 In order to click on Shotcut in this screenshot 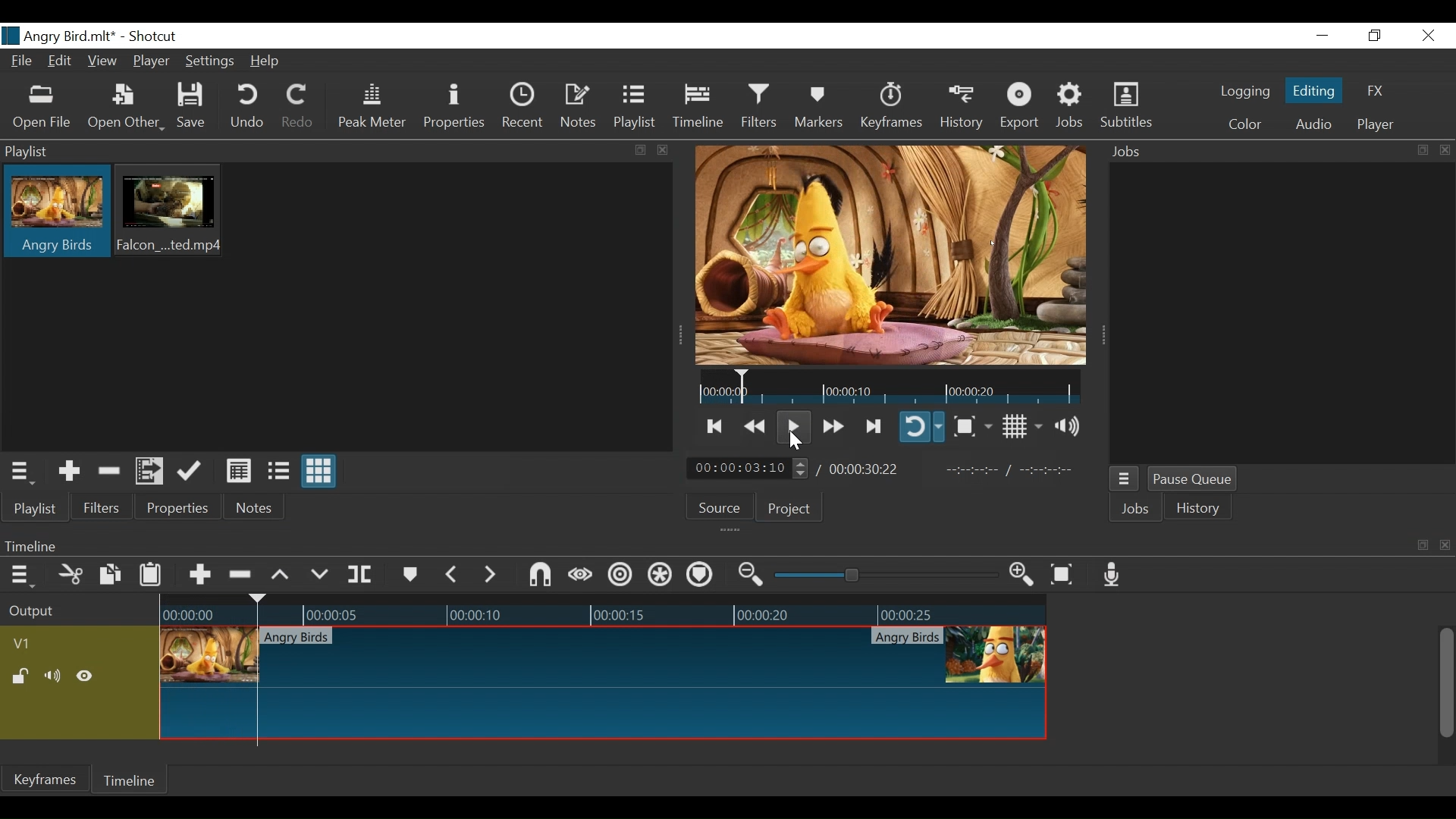, I will do `click(152, 36)`.